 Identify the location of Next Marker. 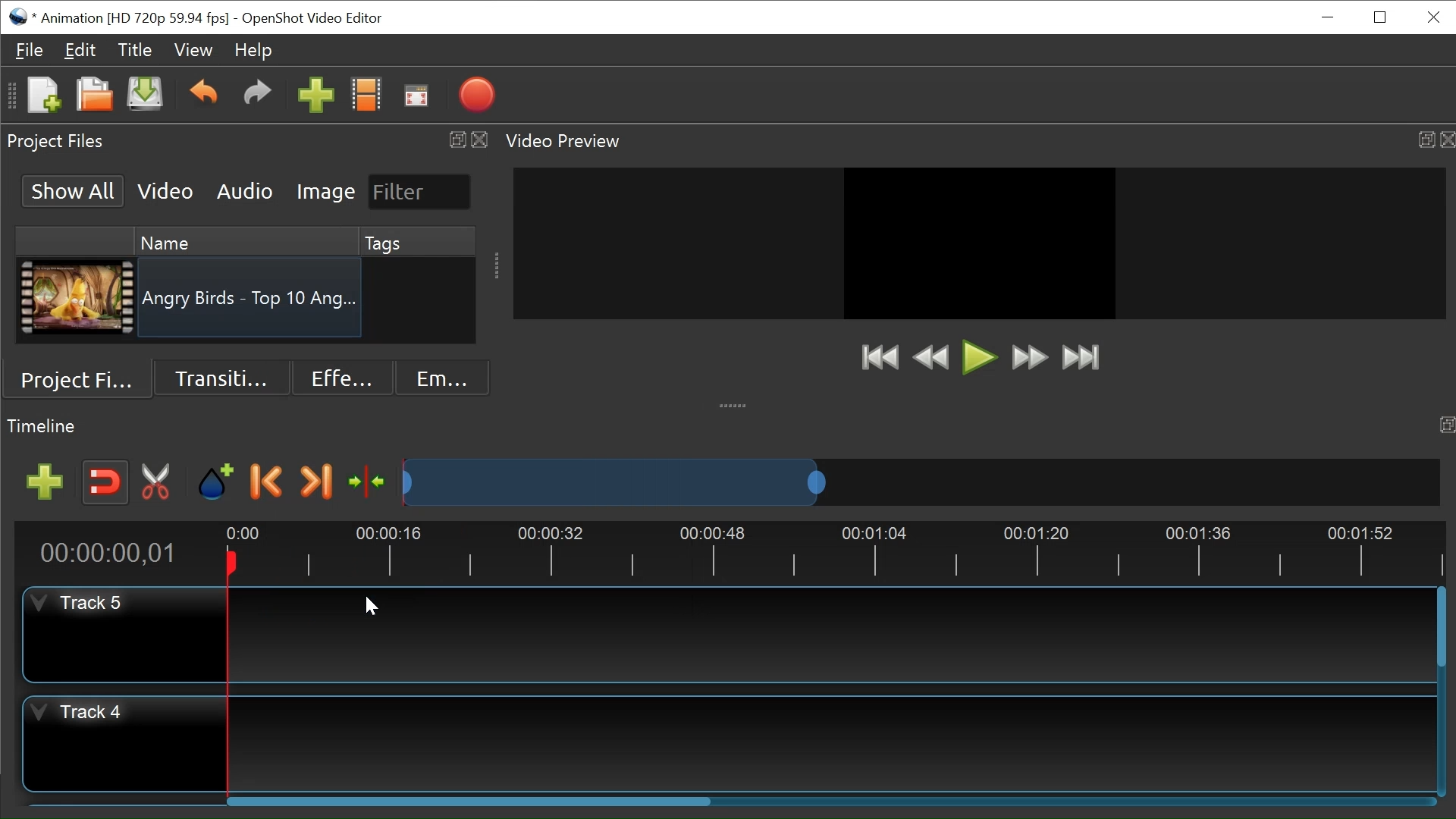
(315, 481).